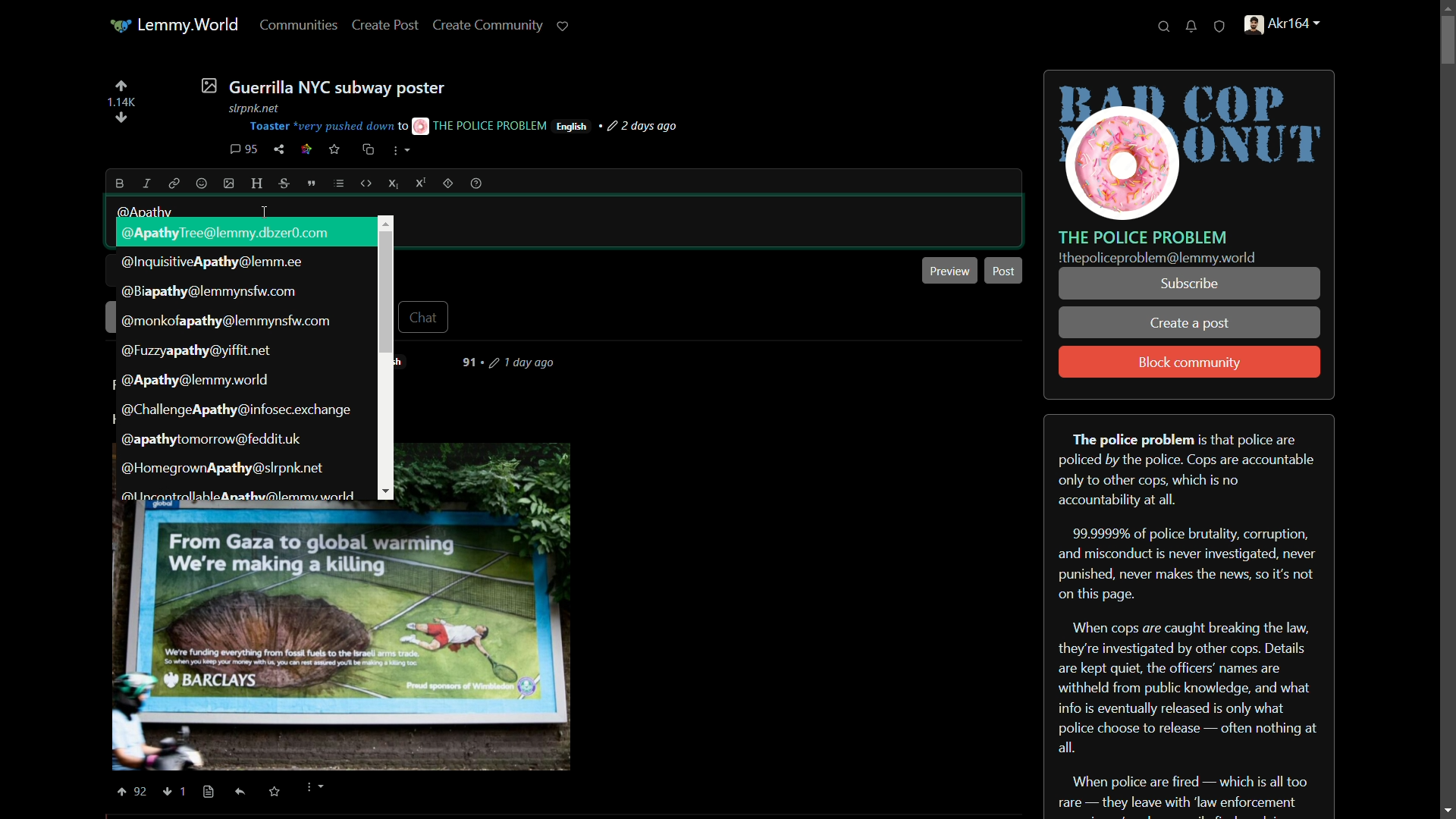 The width and height of the screenshot is (1456, 819). I want to click on handle, so click(1291, 27).